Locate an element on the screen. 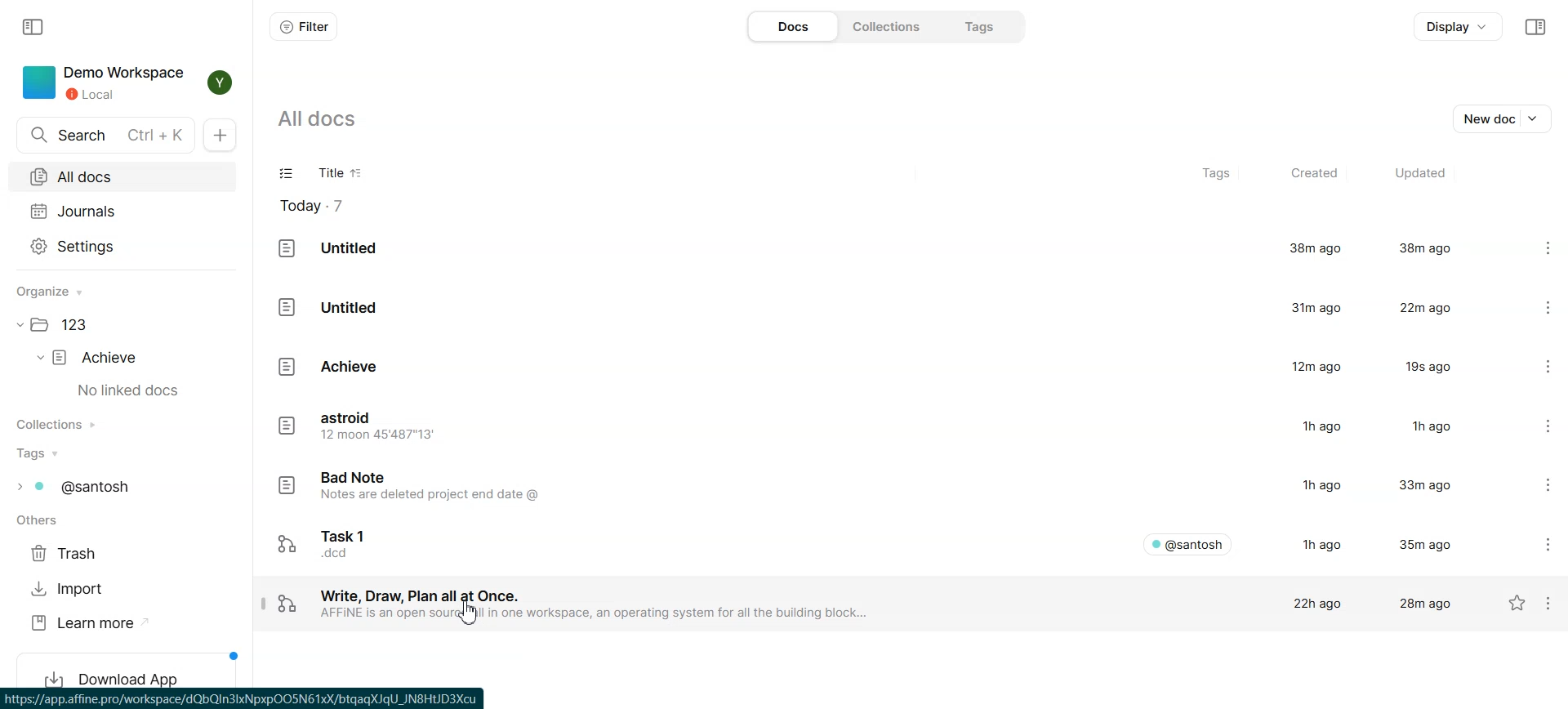 This screenshot has width=1568, height=709. Journals is located at coordinates (122, 211).